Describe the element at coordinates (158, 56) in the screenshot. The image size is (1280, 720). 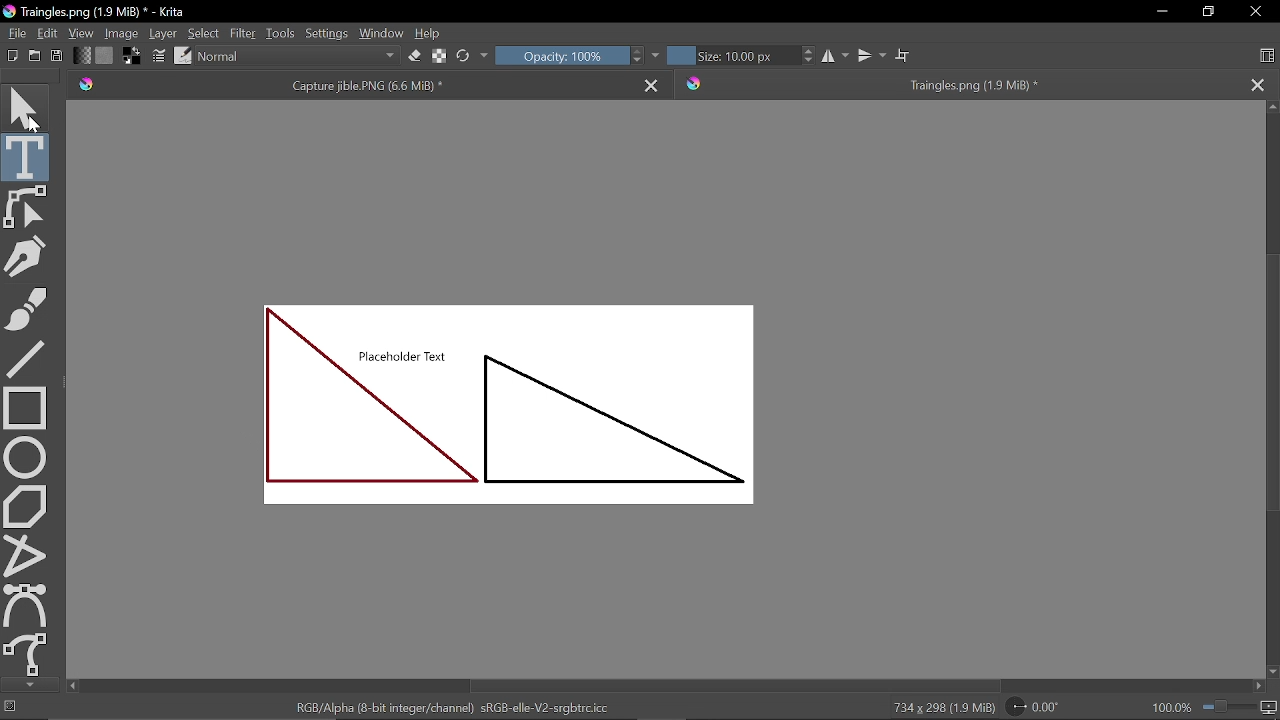
I see `Edit brush settings` at that location.